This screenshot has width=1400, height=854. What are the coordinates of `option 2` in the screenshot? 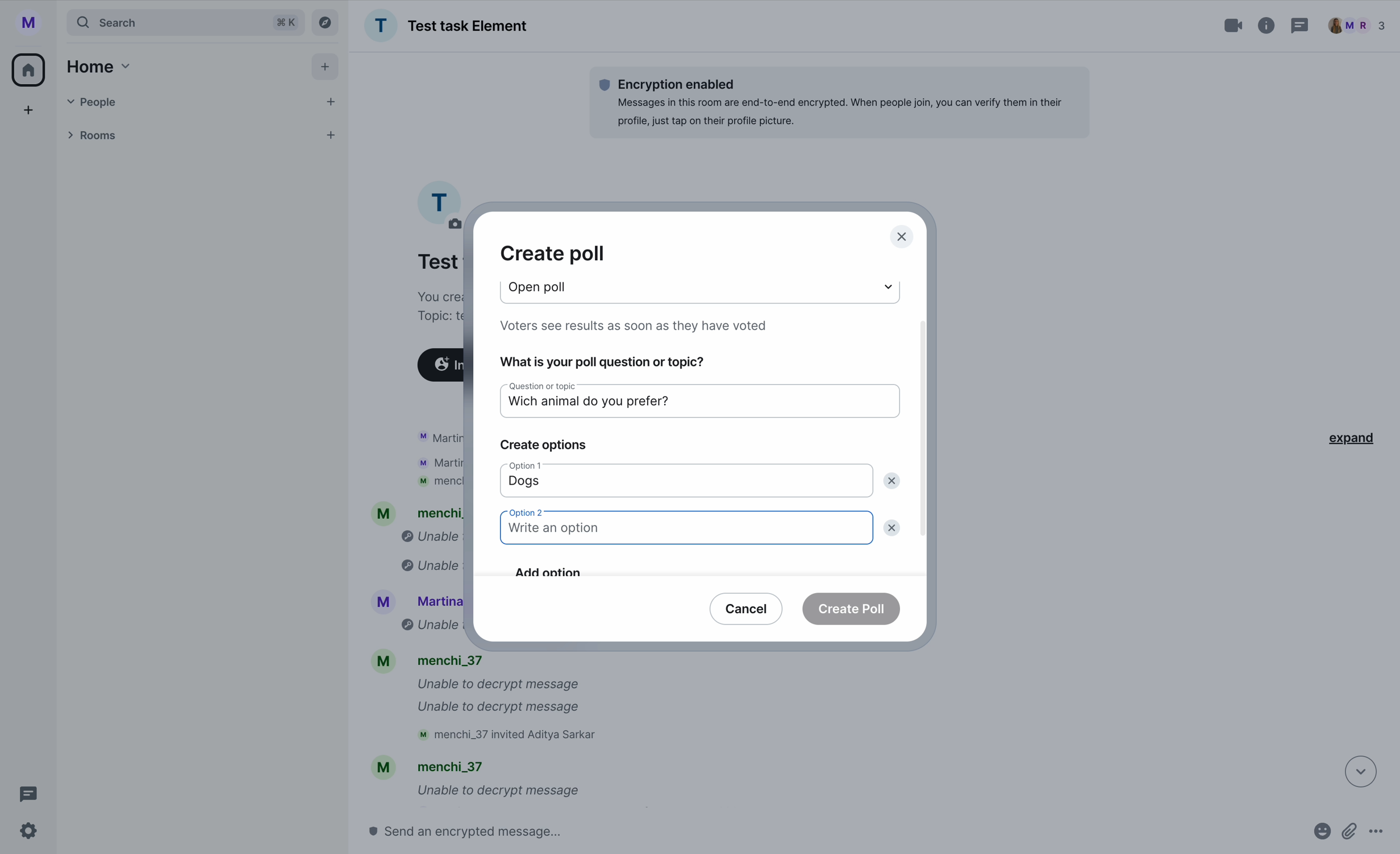 It's located at (527, 512).